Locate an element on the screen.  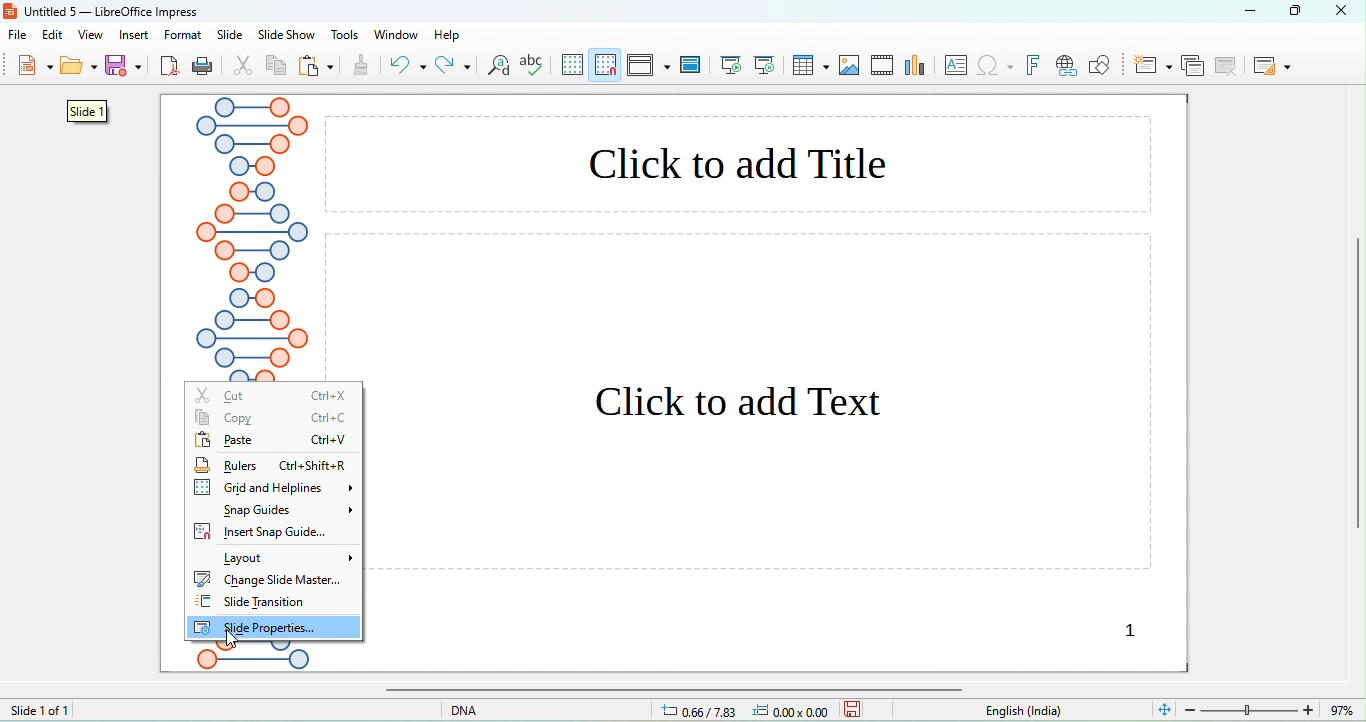
paste is located at coordinates (317, 67).